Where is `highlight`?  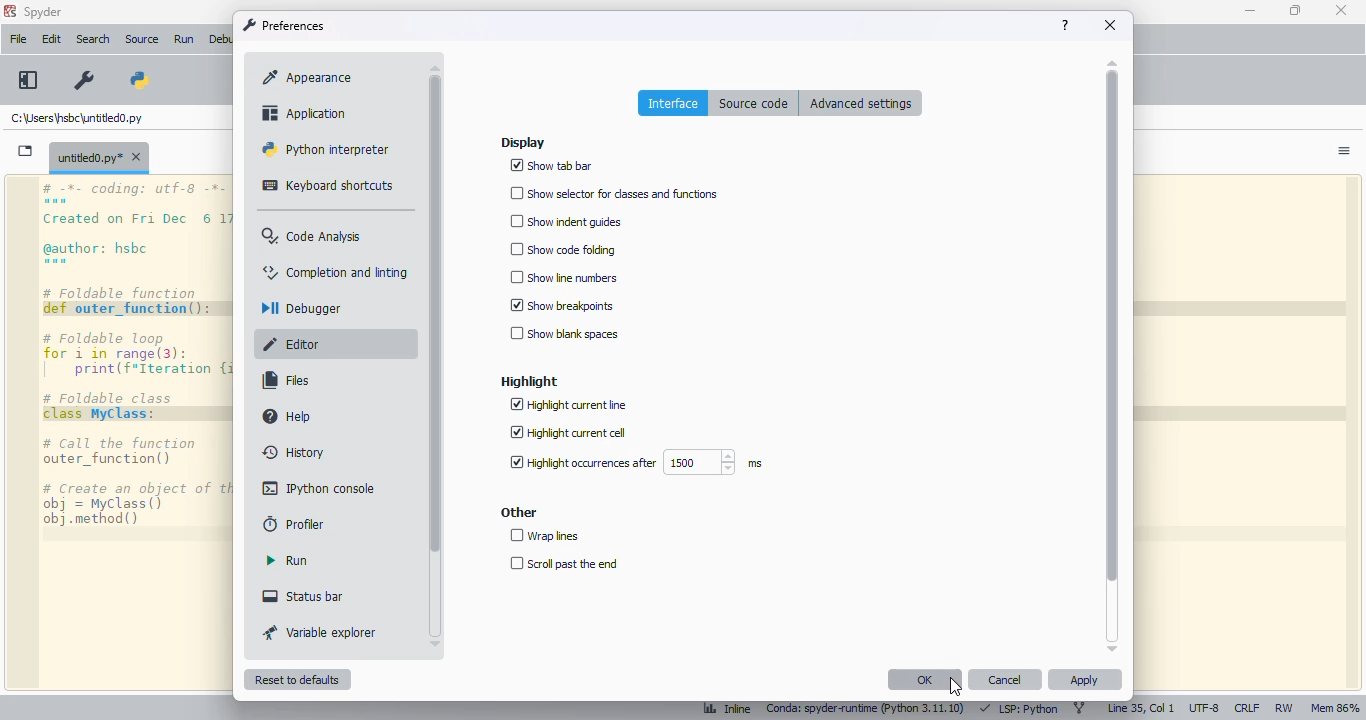 highlight is located at coordinates (529, 382).